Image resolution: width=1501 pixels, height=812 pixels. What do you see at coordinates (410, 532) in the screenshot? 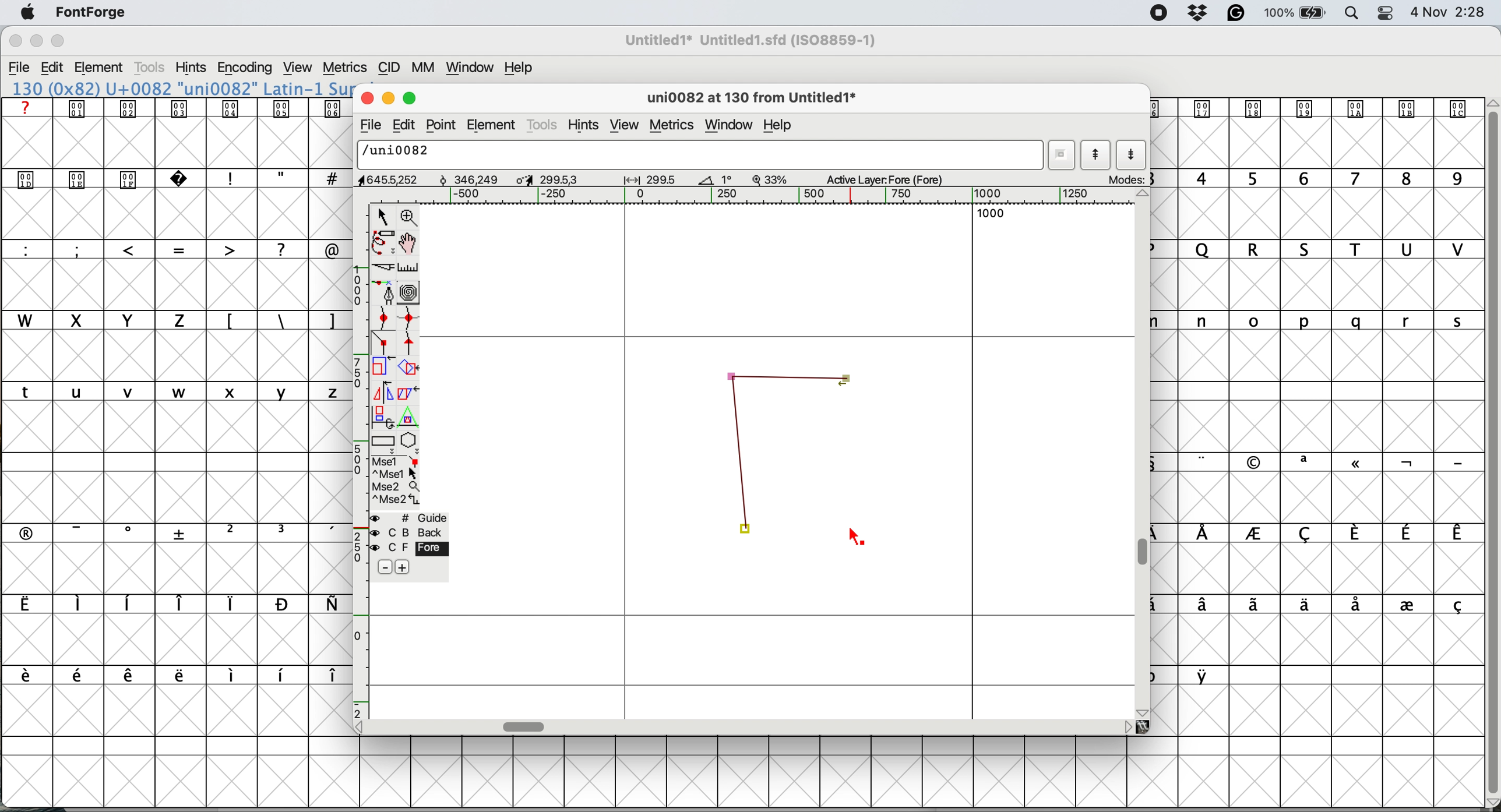
I see `back` at bounding box center [410, 532].